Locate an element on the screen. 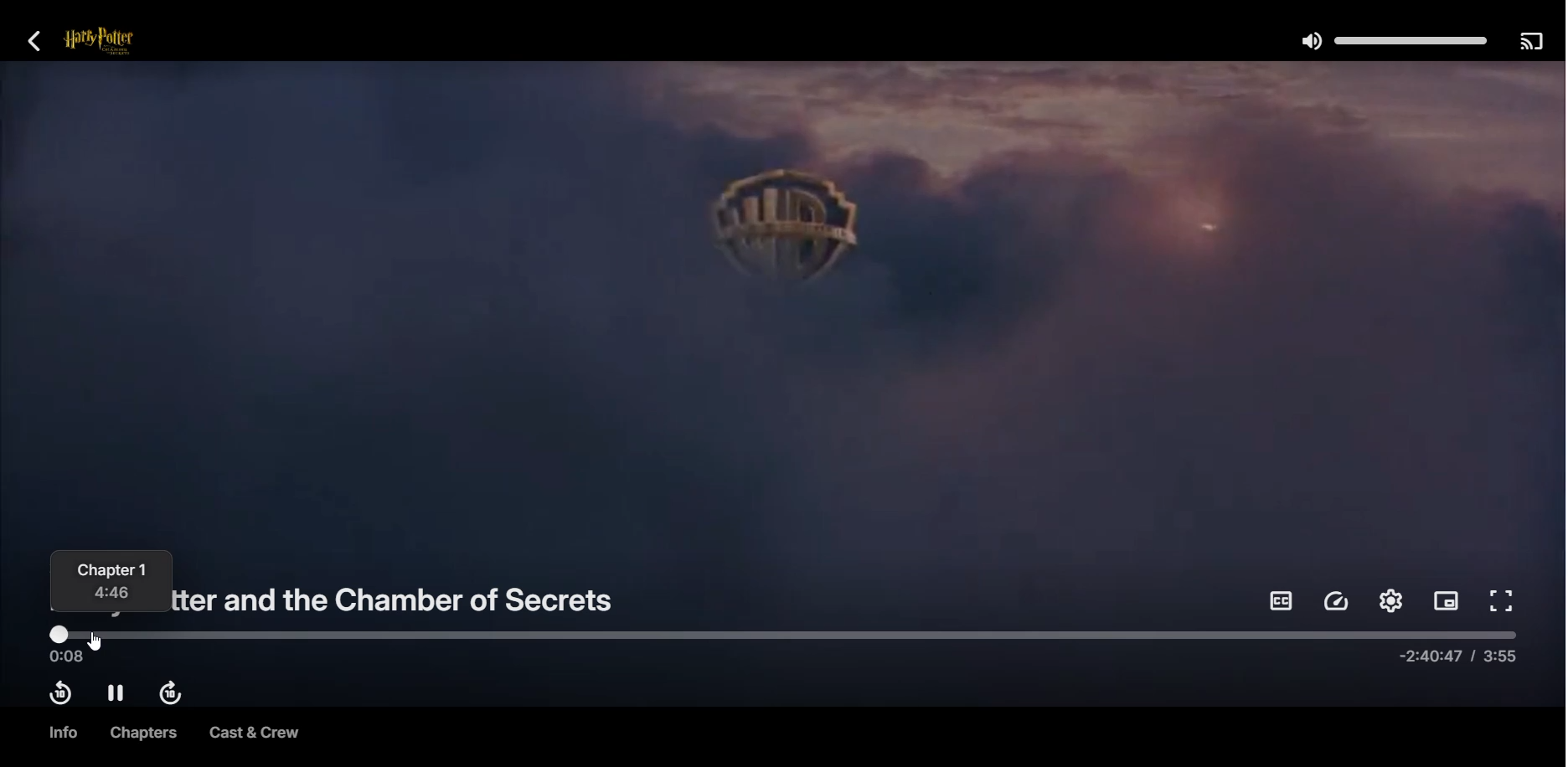 The width and height of the screenshot is (1568, 767). Movie Chapter and Timing details is located at coordinates (111, 583).